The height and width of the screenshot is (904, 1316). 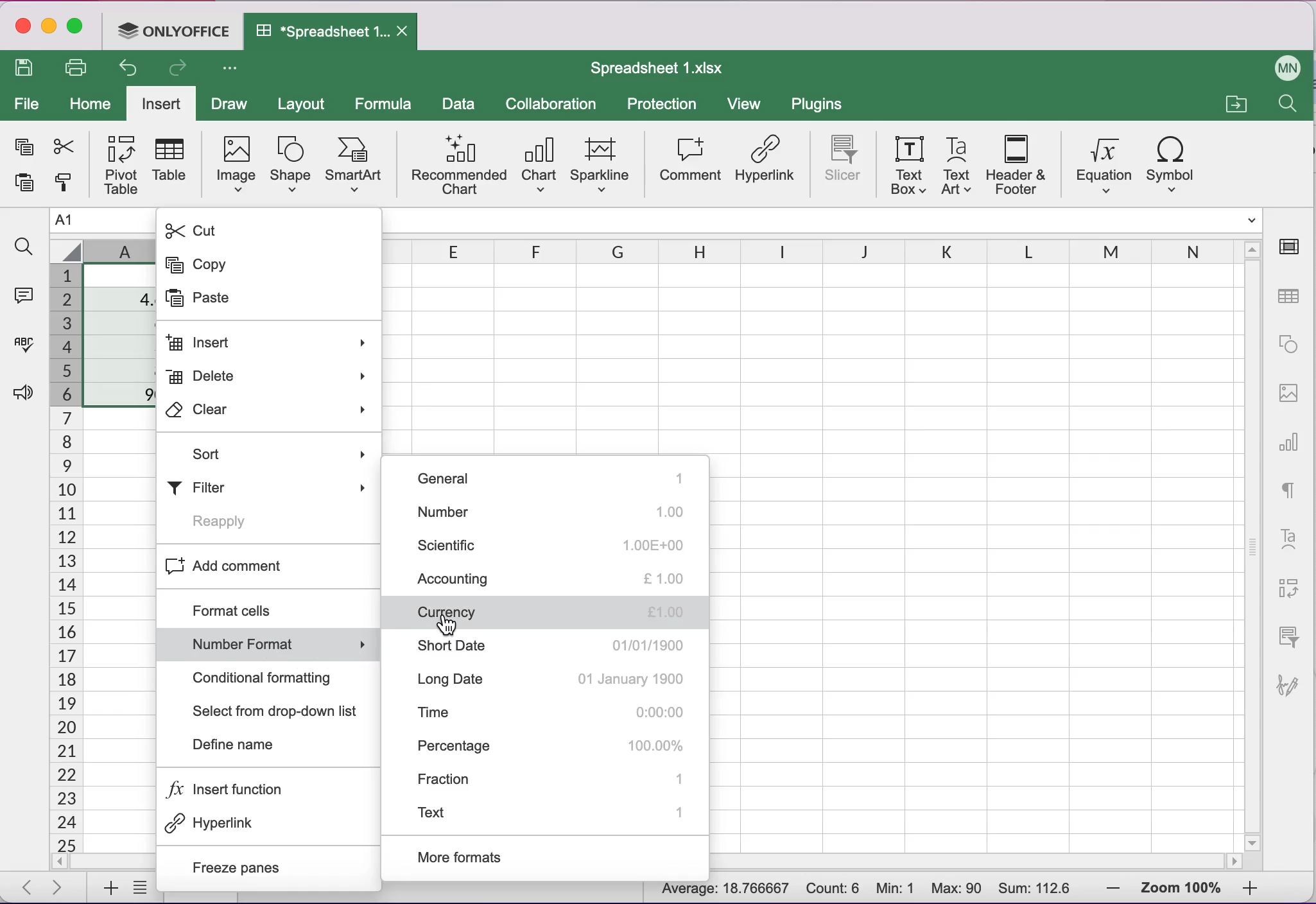 I want to click on Close, so click(x=407, y=31).